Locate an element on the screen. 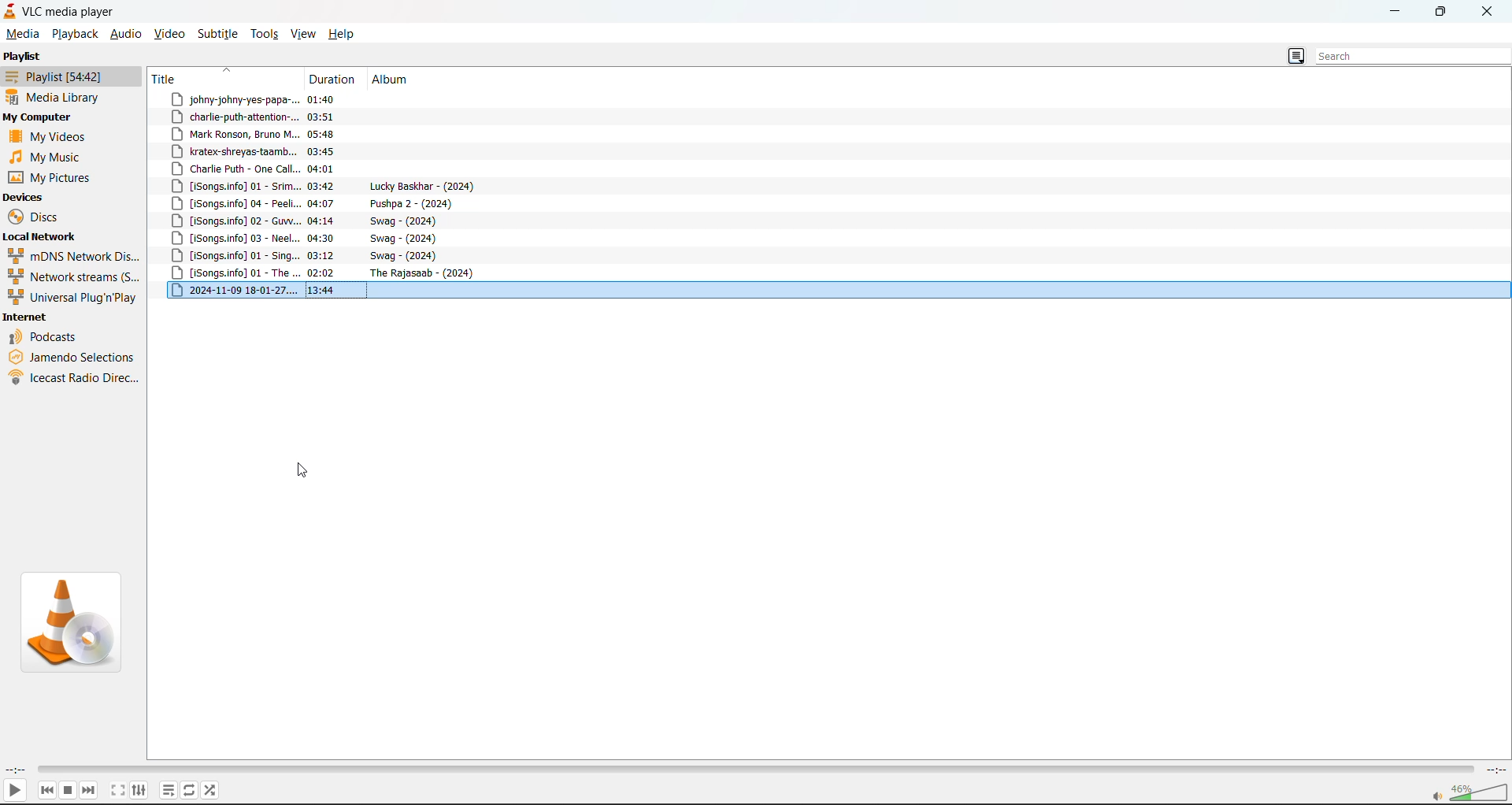  album is located at coordinates (391, 80).